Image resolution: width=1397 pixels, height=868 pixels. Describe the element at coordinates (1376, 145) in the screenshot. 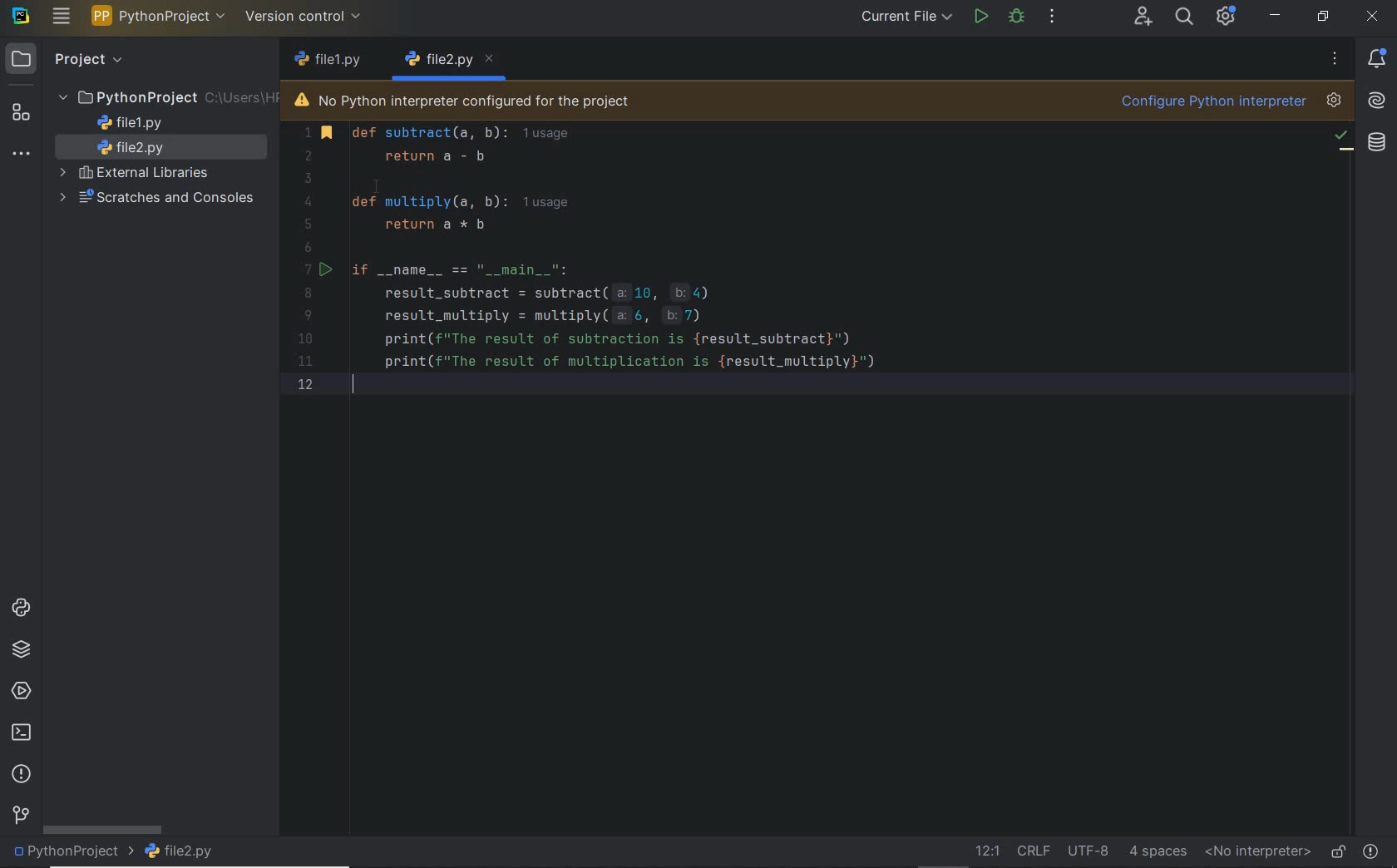

I see `Database` at that location.